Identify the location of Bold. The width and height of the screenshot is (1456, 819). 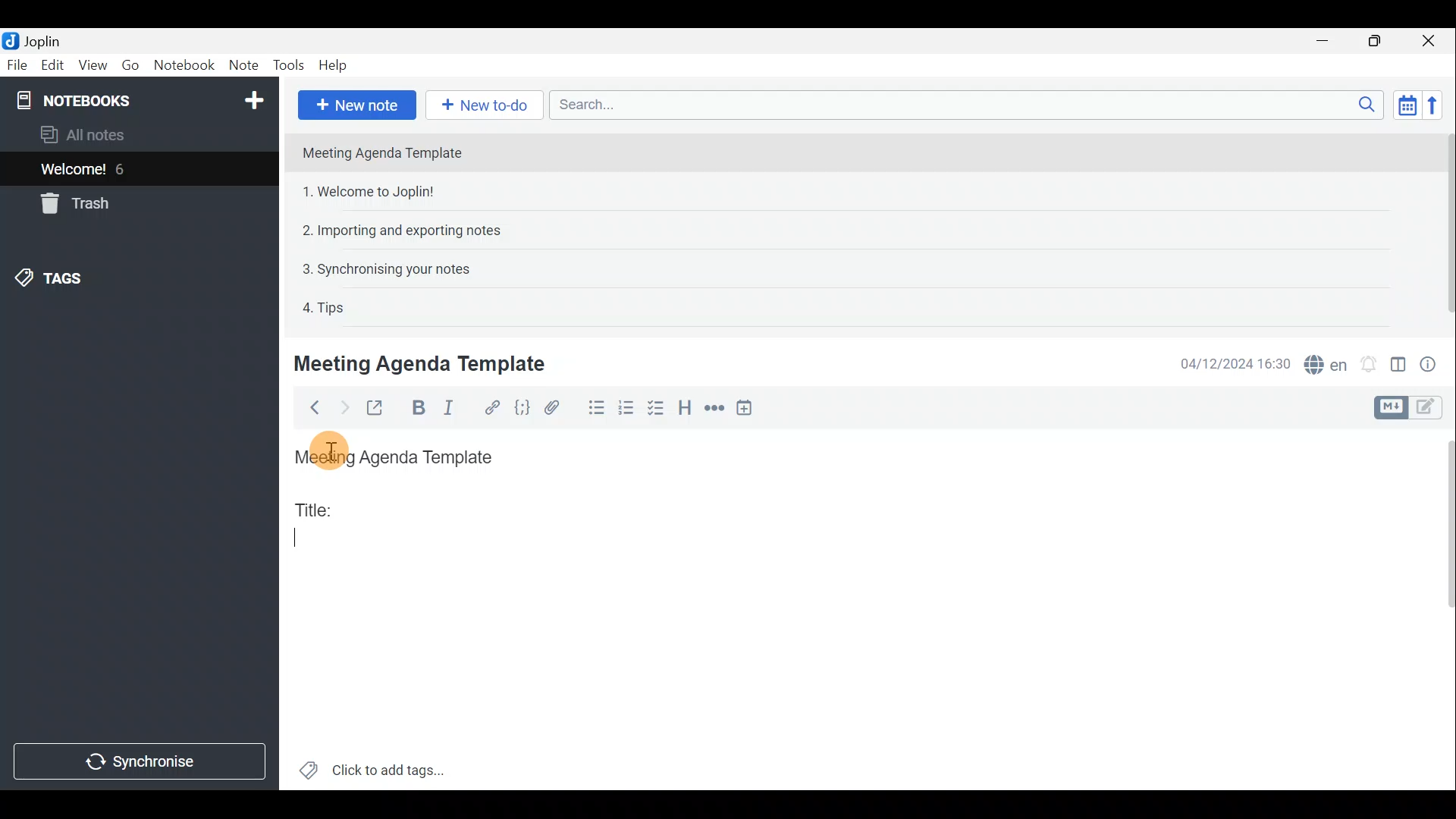
(416, 408).